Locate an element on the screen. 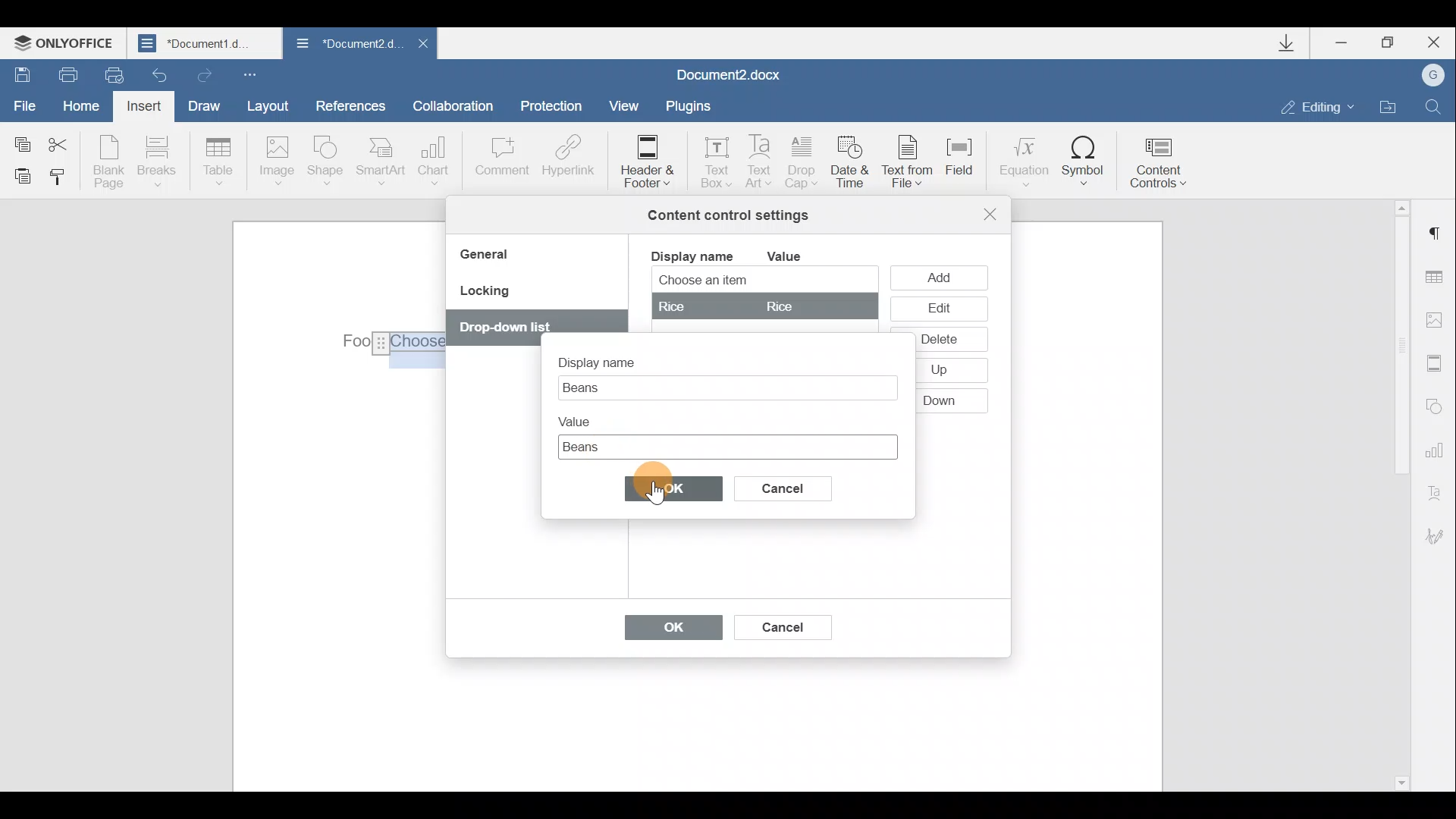 The image size is (1456, 819). General is located at coordinates (490, 256).